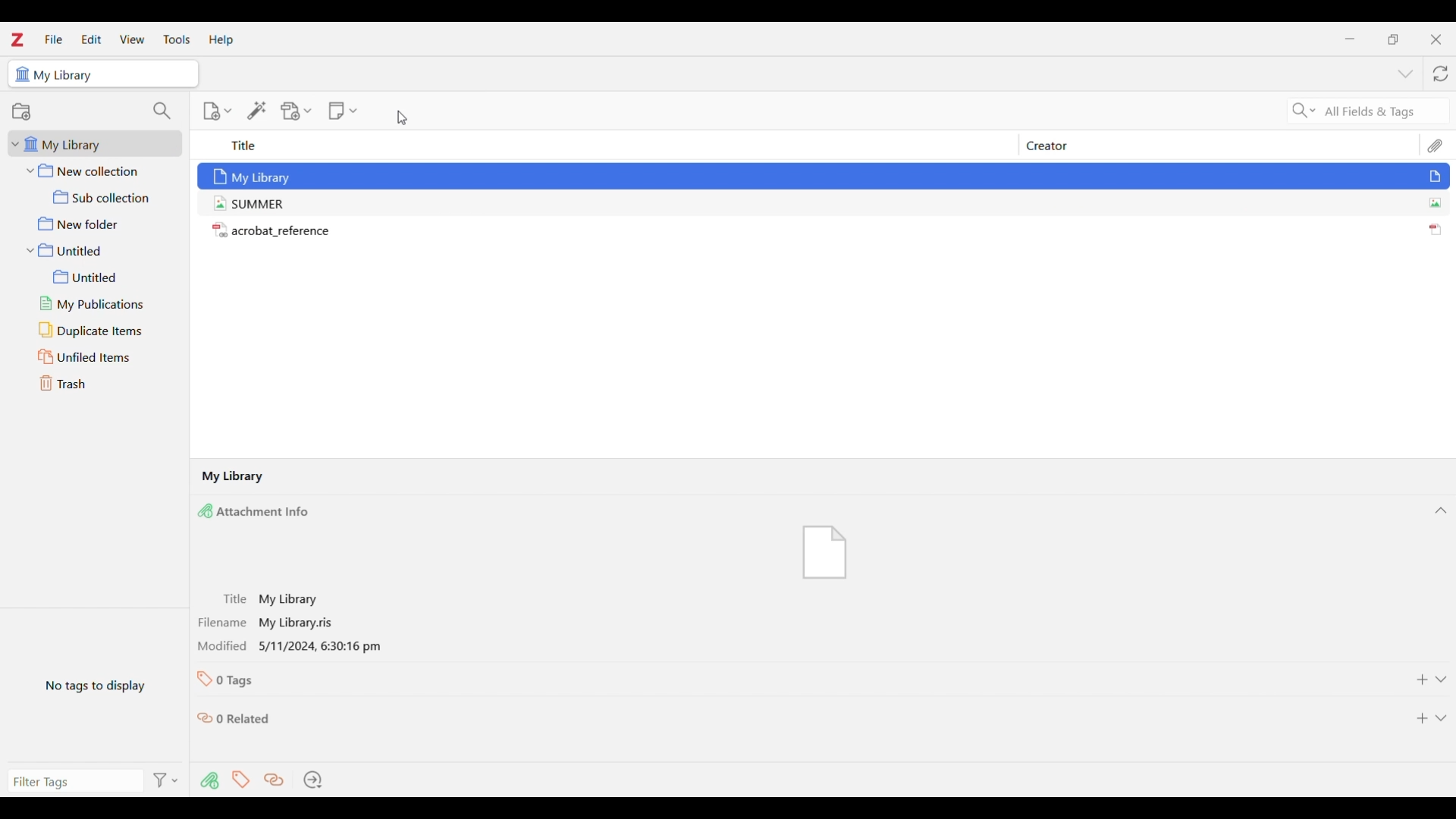  Describe the element at coordinates (248, 204) in the screenshot. I see `Summer` at that location.